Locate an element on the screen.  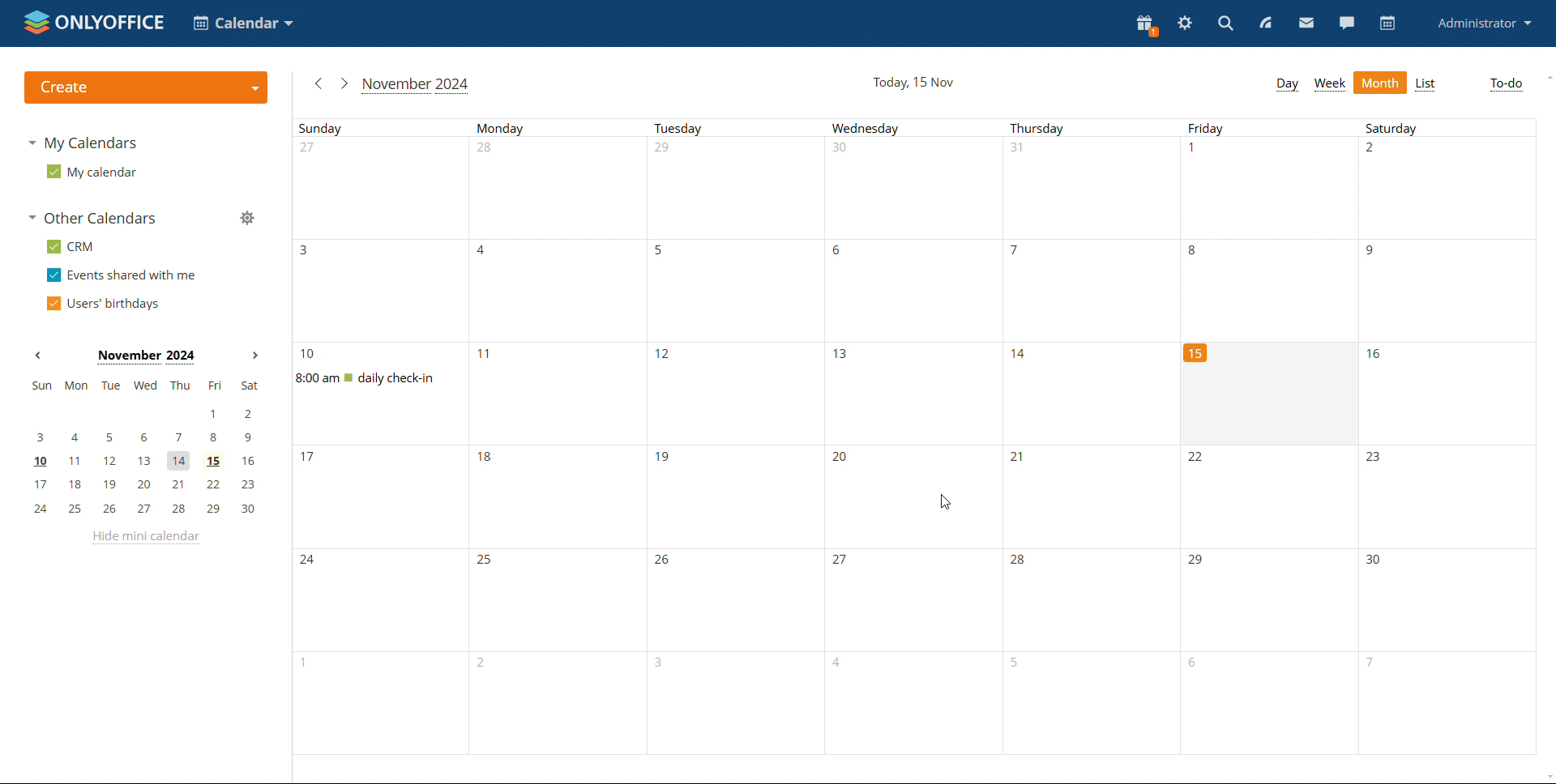
next month is located at coordinates (344, 84).